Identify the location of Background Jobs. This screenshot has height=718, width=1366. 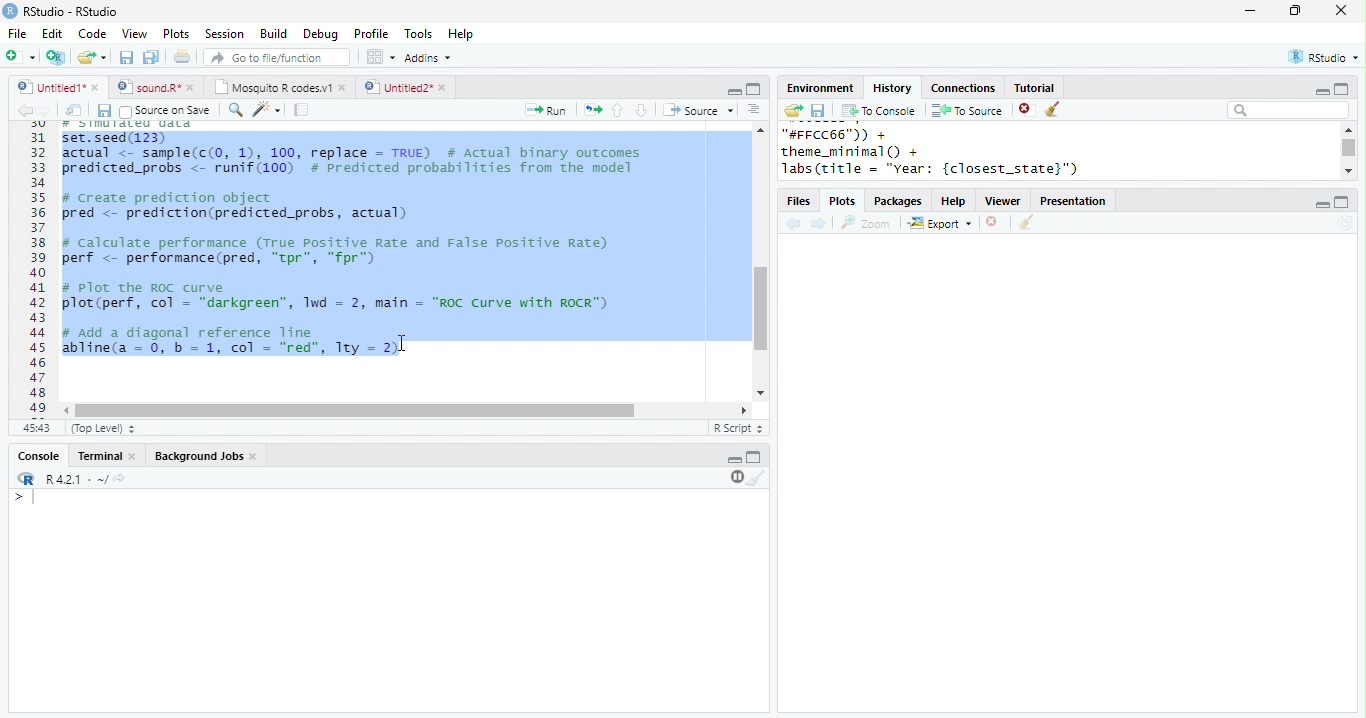
(198, 456).